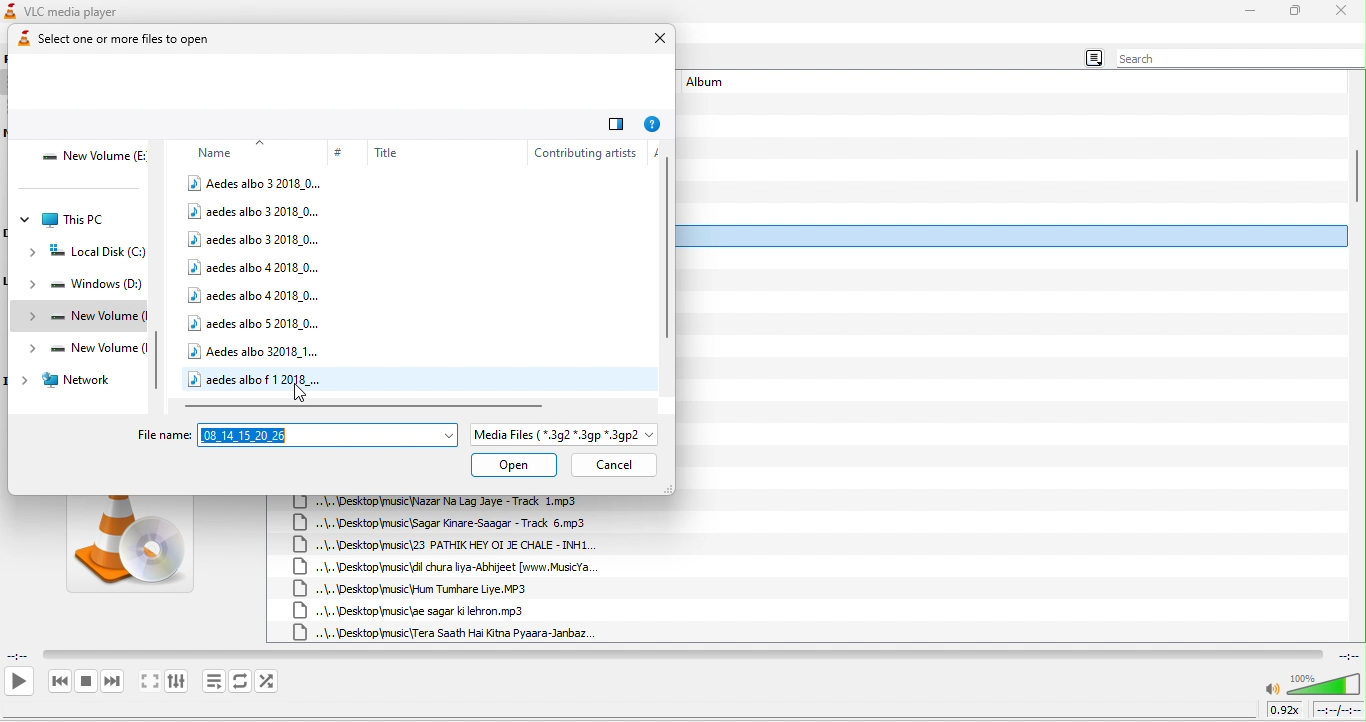 The height and width of the screenshot is (722, 1366). Describe the element at coordinates (1337, 710) in the screenshot. I see `total time/remaining time` at that location.